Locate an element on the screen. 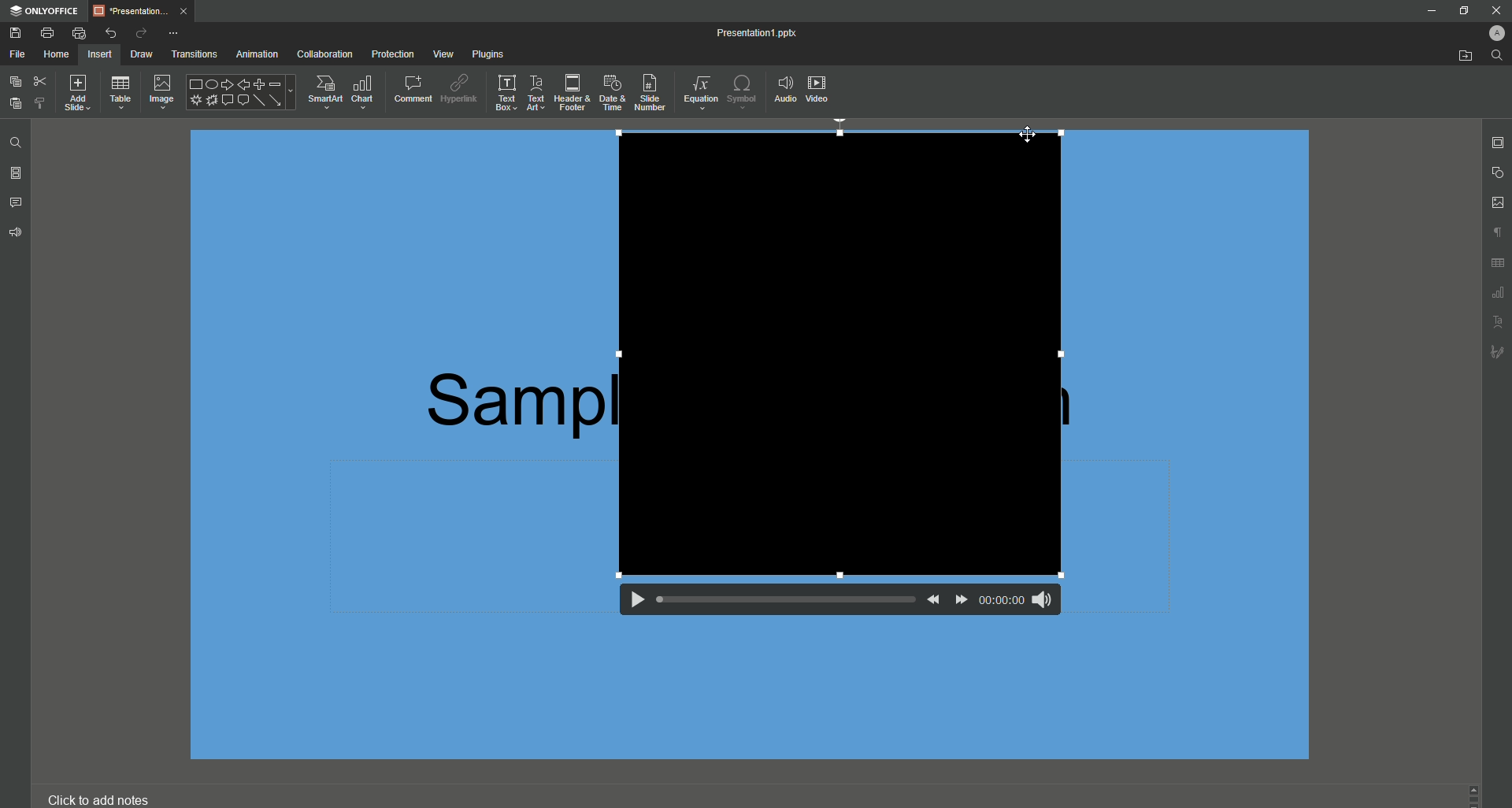 Image resolution: width=1512 pixels, height=808 pixels. Text Box is located at coordinates (503, 92).